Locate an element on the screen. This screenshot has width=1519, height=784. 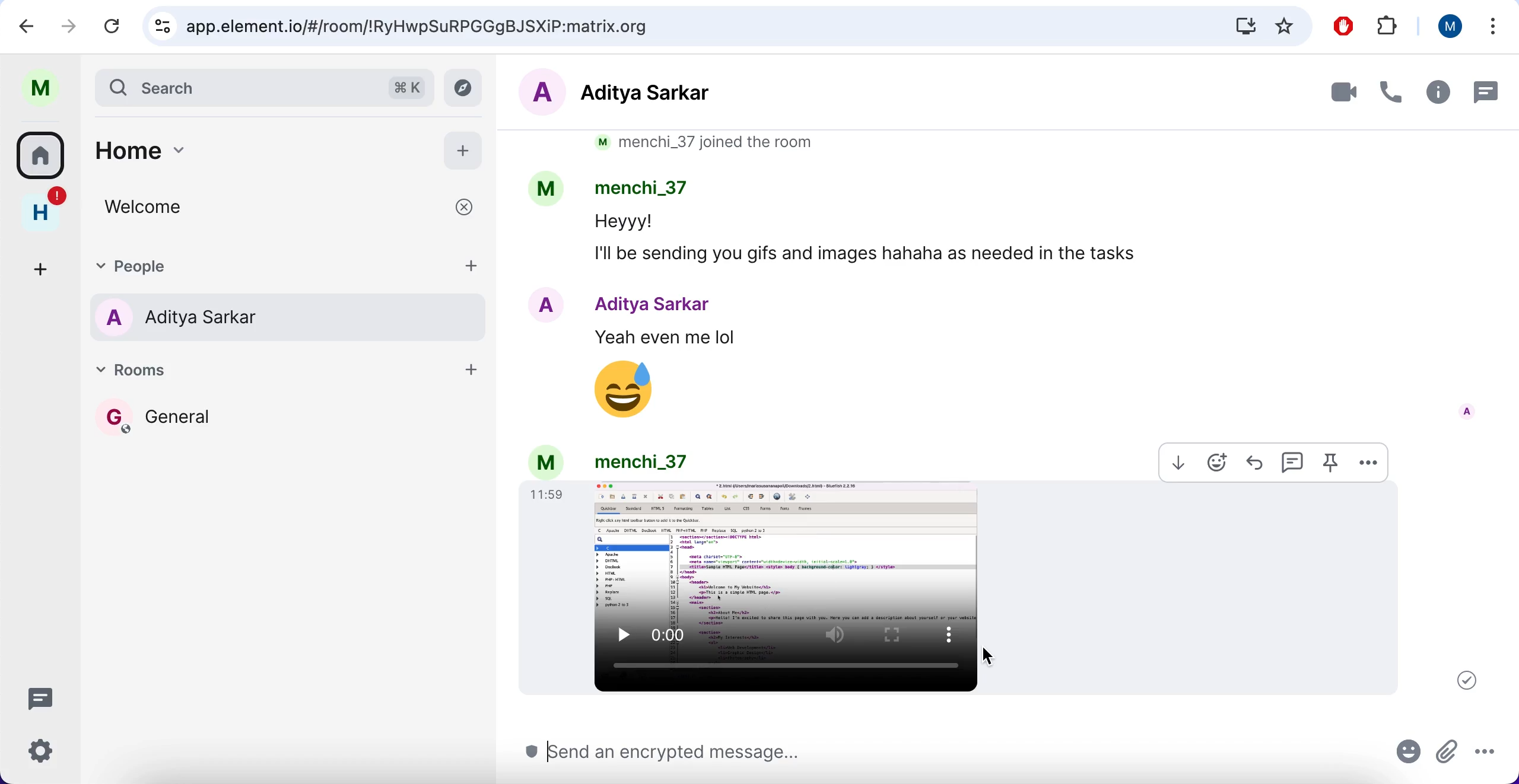
people is located at coordinates (263, 266).